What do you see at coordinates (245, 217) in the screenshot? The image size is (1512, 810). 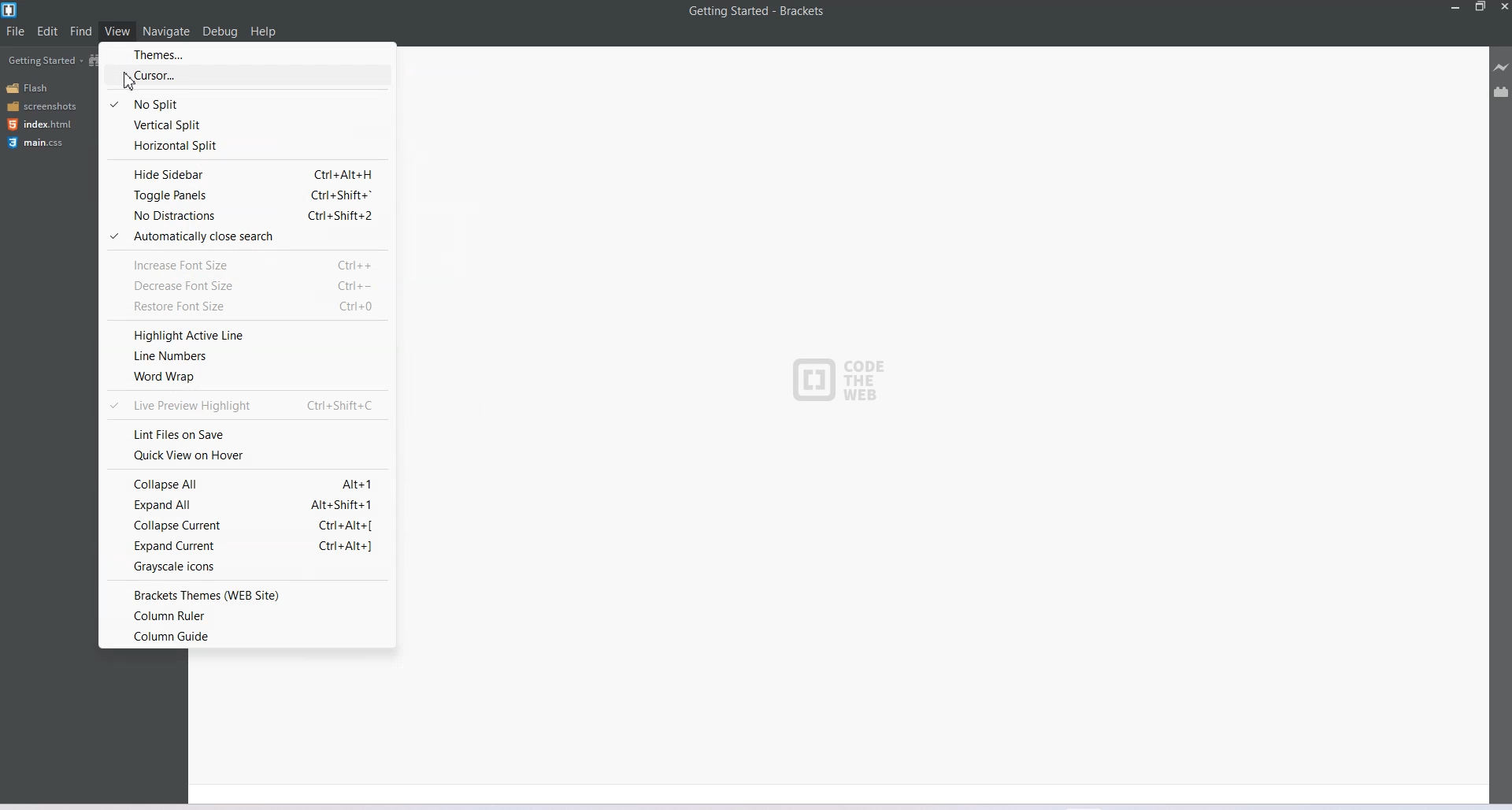 I see `No distractions` at bounding box center [245, 217].